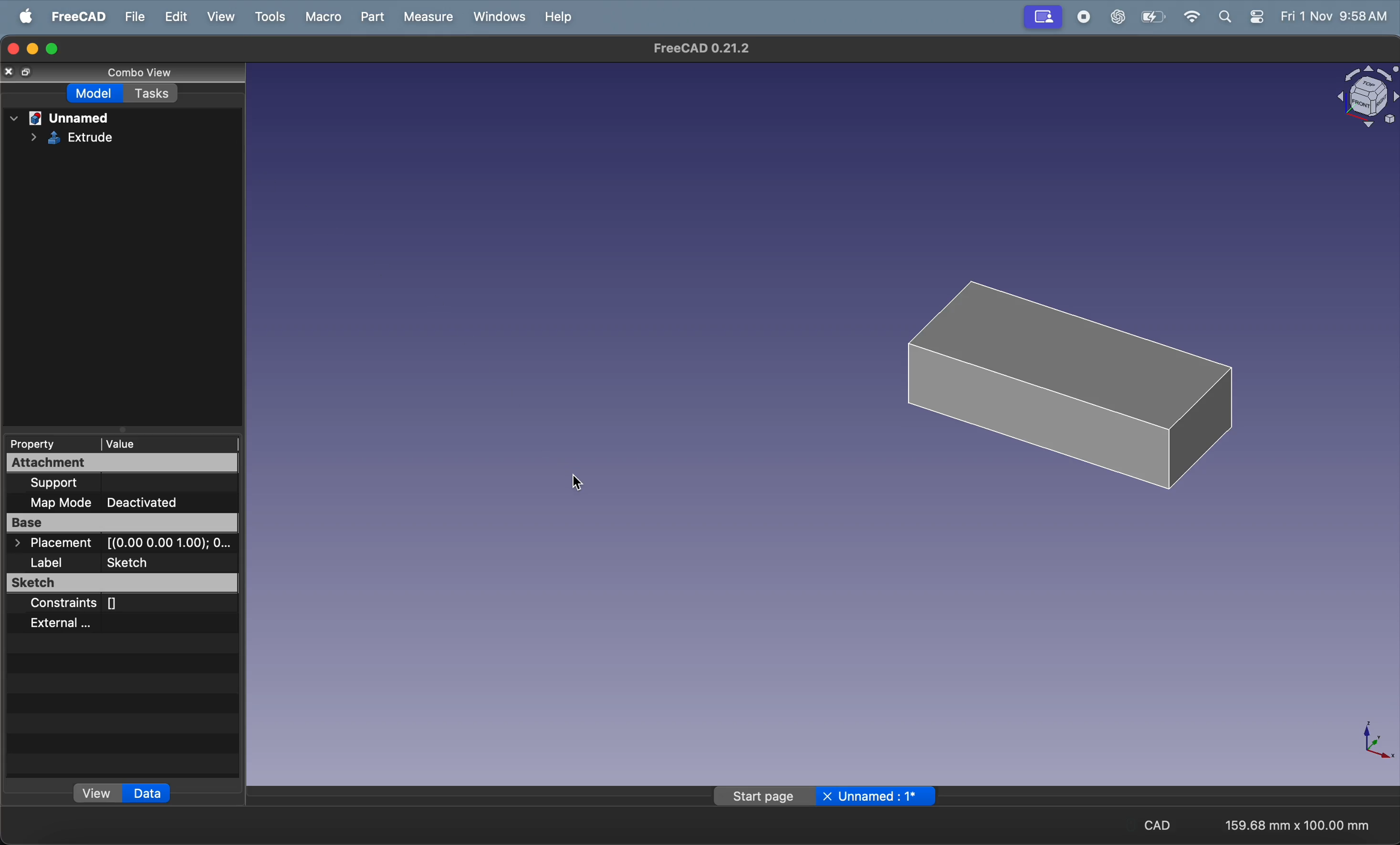 This screenshot has width=1400, height=845. What do you see at coordinates (116, 584) in the screenshot?
I see `sketch` at bounding box center [116, 584].